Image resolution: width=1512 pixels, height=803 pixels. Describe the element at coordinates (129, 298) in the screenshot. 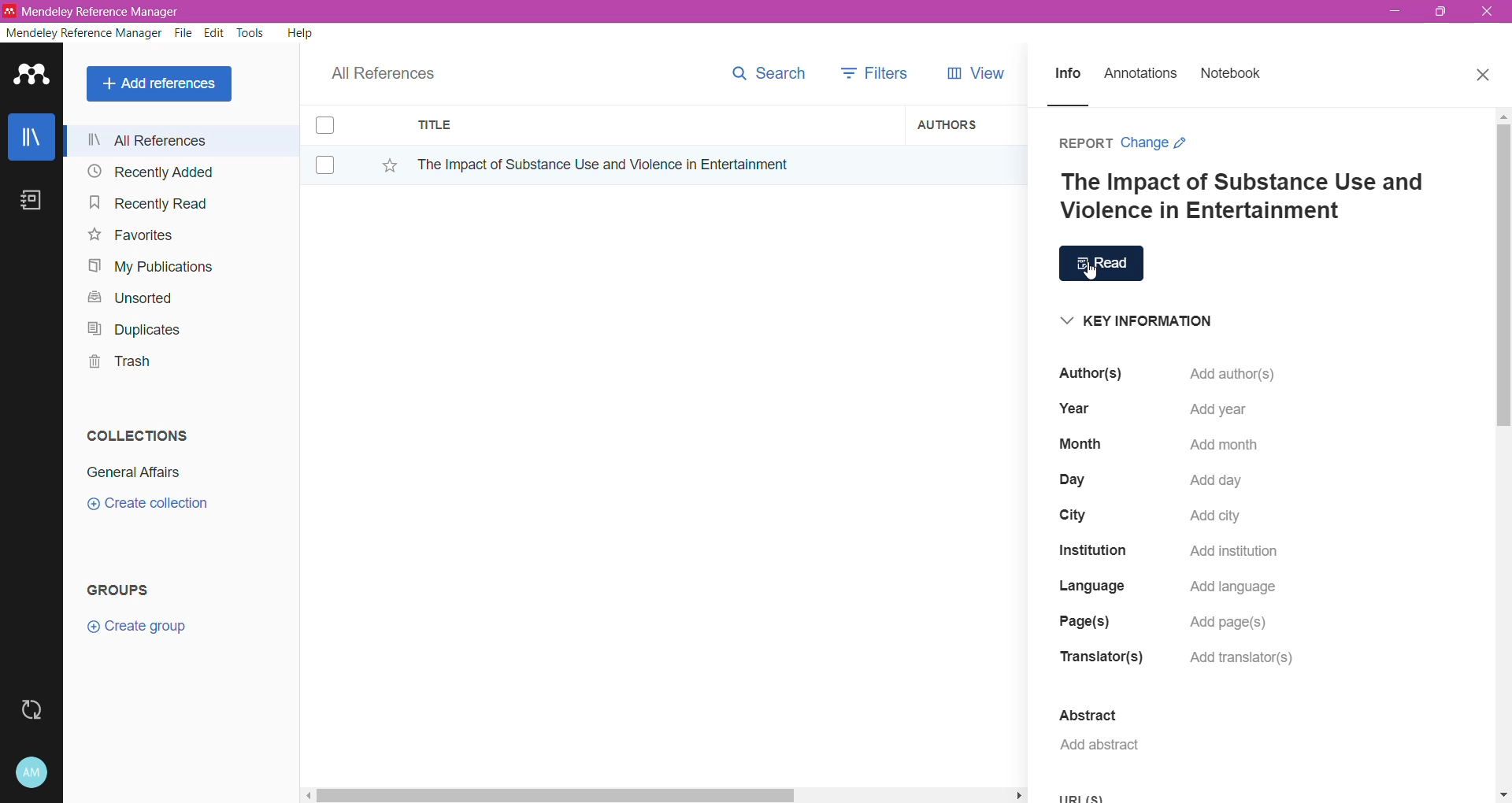

I see `Unsorted` at that location.